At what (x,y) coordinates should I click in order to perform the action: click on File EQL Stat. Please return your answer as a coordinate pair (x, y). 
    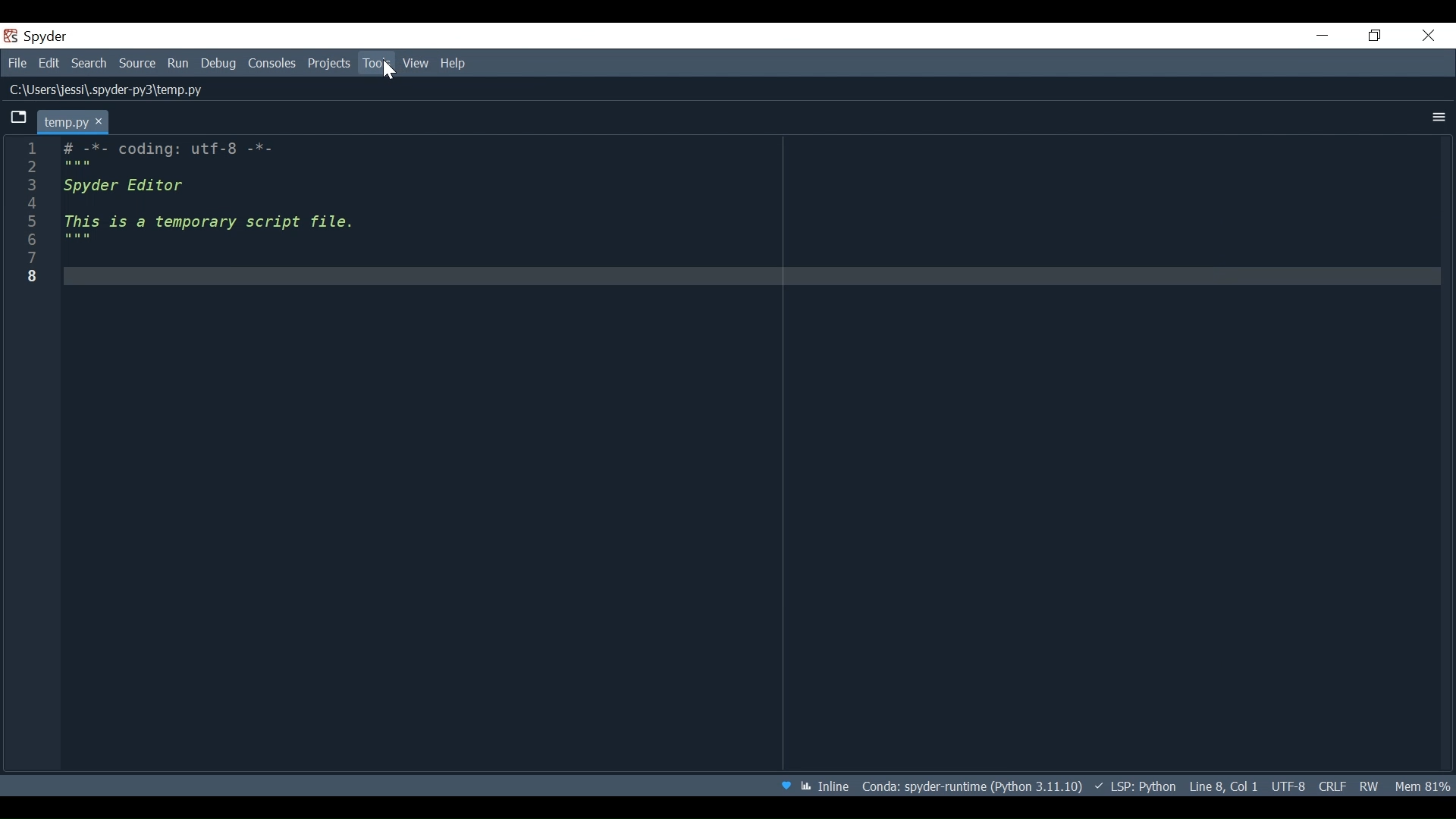
    Looking at the image, I should click on (1332, 785).